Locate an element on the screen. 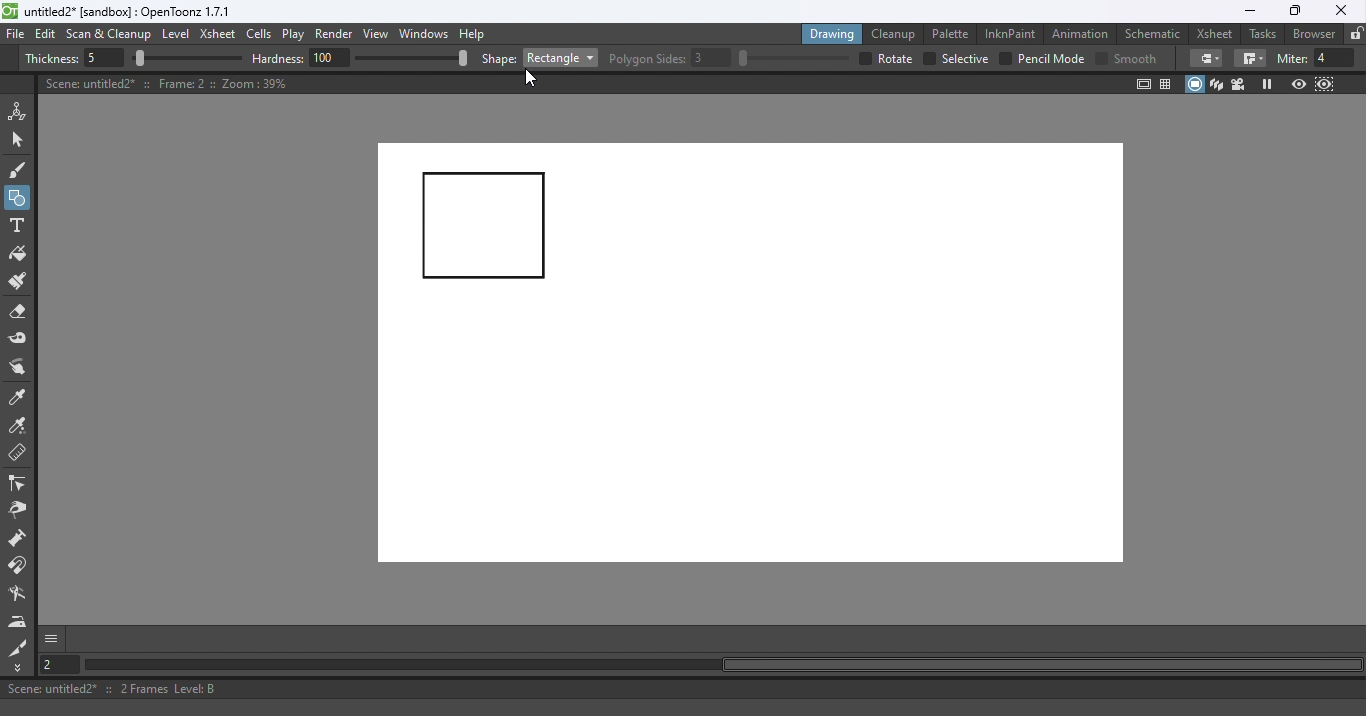 This screenshot has height=716, width=1366. Drawing is located at coordinates (834, 33).